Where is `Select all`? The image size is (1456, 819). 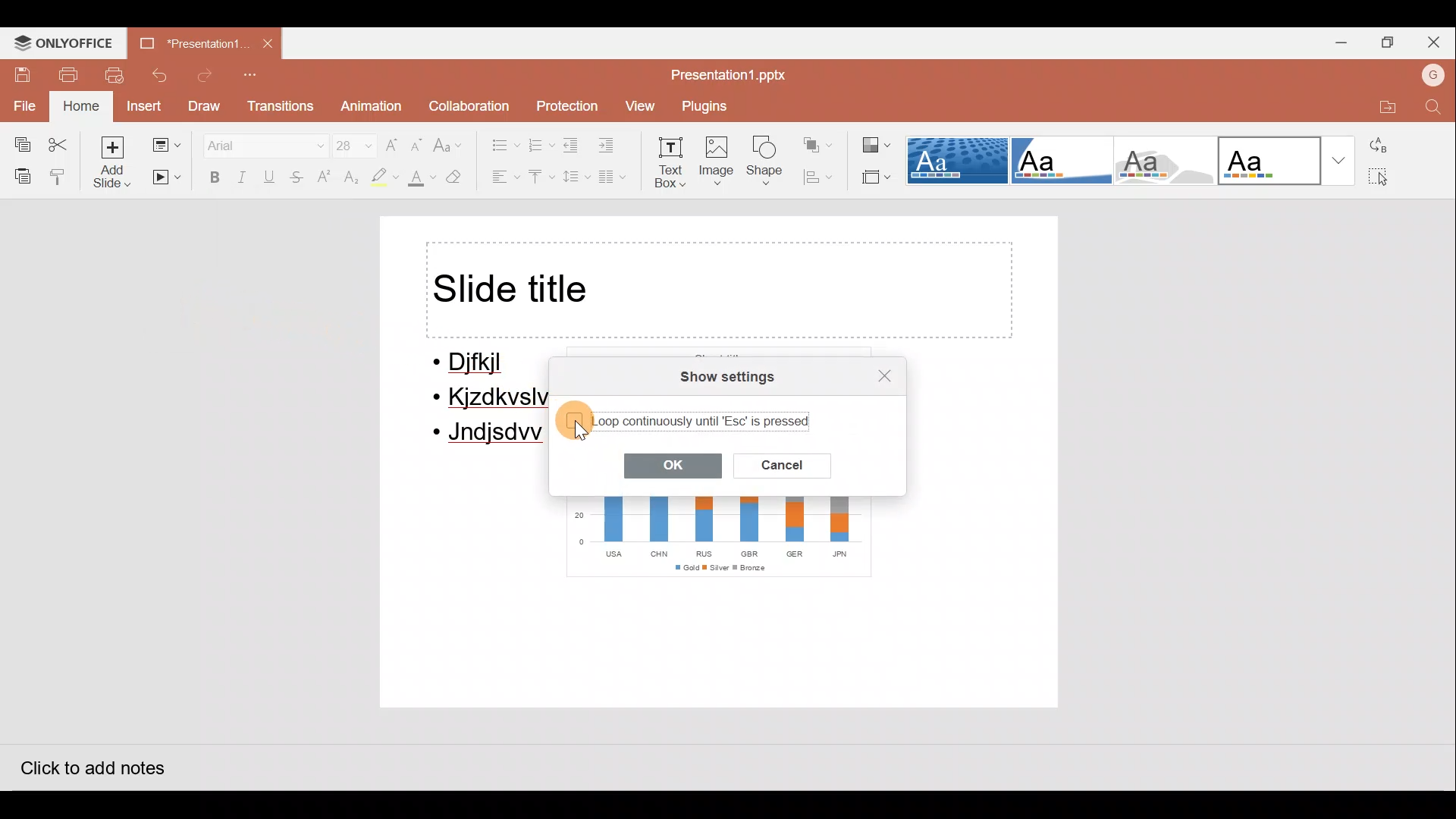
Select all is located at coordinates (1388, 178).